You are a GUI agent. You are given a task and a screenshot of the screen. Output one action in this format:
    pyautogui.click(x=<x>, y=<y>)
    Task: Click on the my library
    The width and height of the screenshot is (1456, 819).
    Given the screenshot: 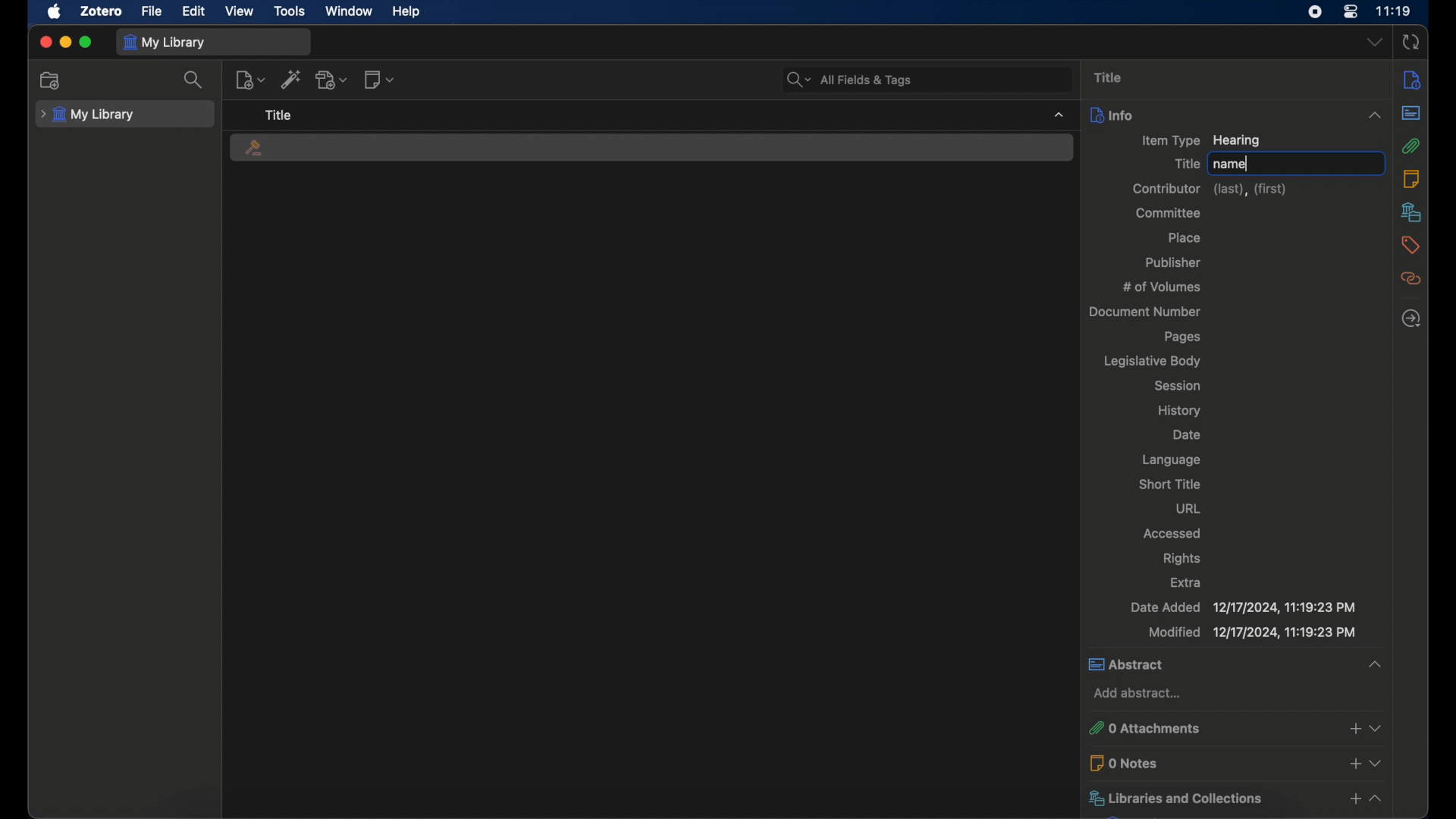 What is the action you would take?
    pyautogui.click(x=87, y=115)
    